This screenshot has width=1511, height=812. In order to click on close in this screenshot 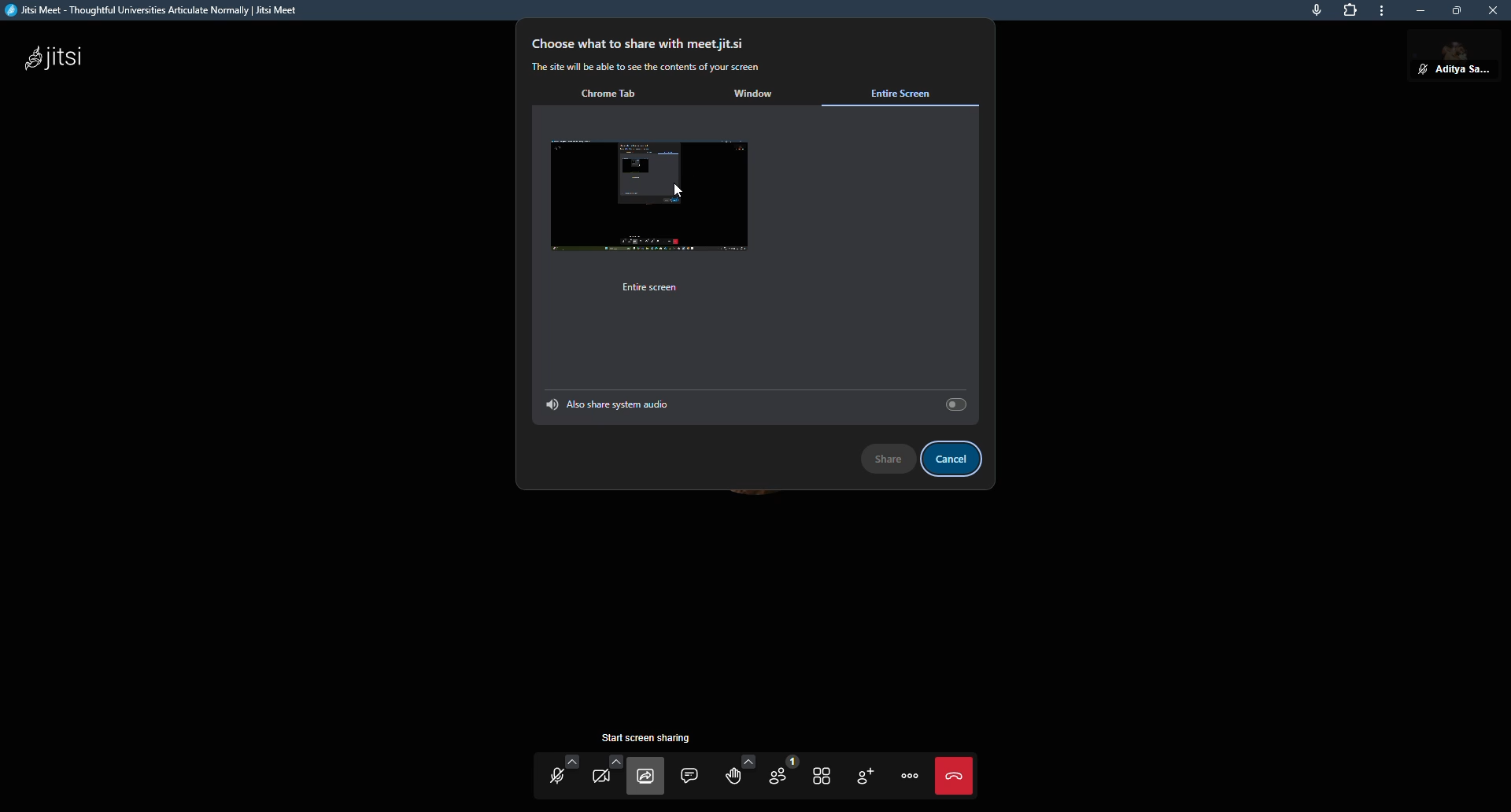, I will do `click(1493, 13)`.